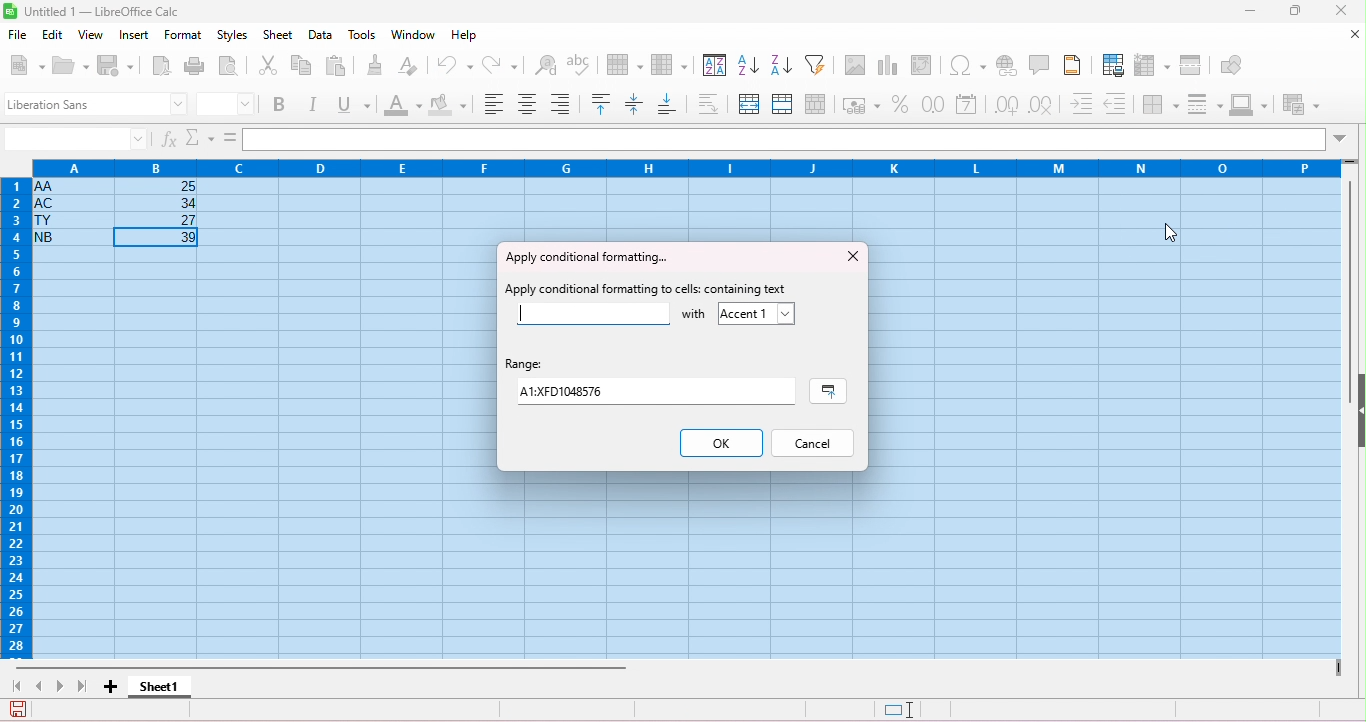 This screenshot has height=722, width=1366. Describe the element at coordinates (781, 63) in the screenshot. I see `sort descending` at that location.